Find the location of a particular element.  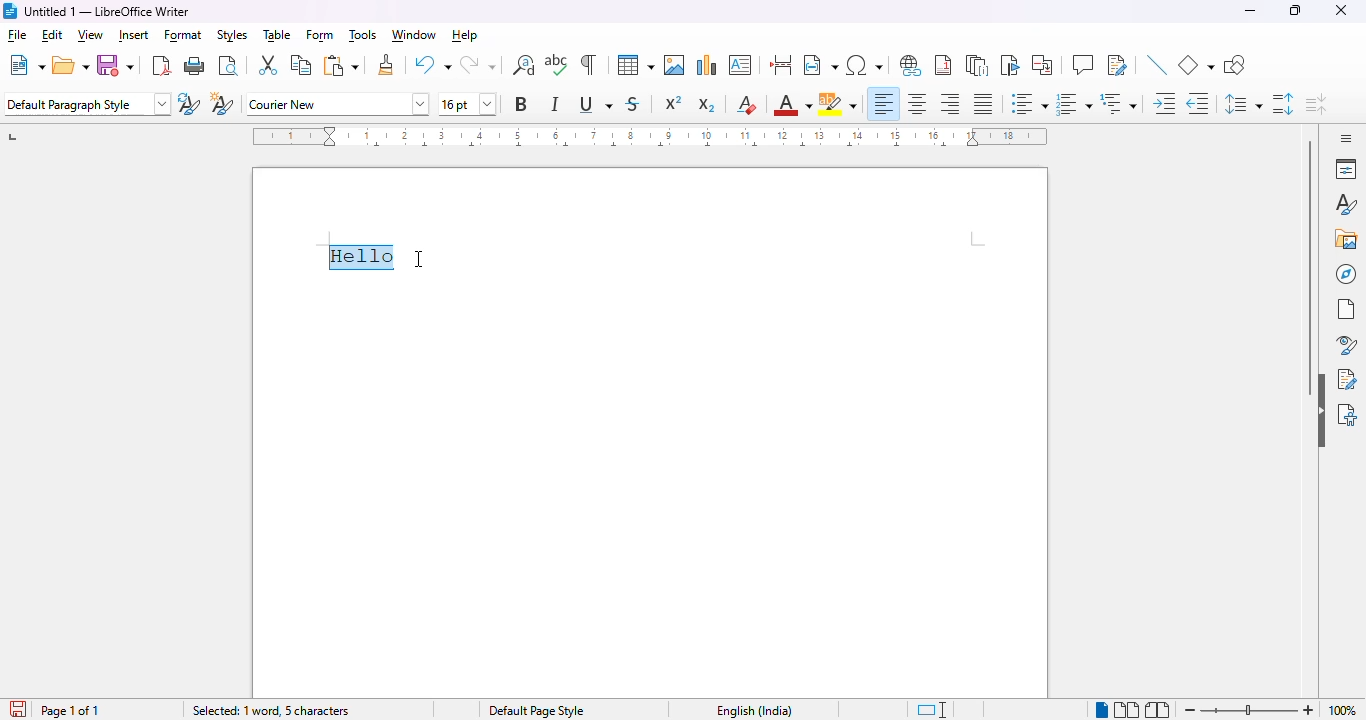

show draw functions is located at coordinates (1233, 65).